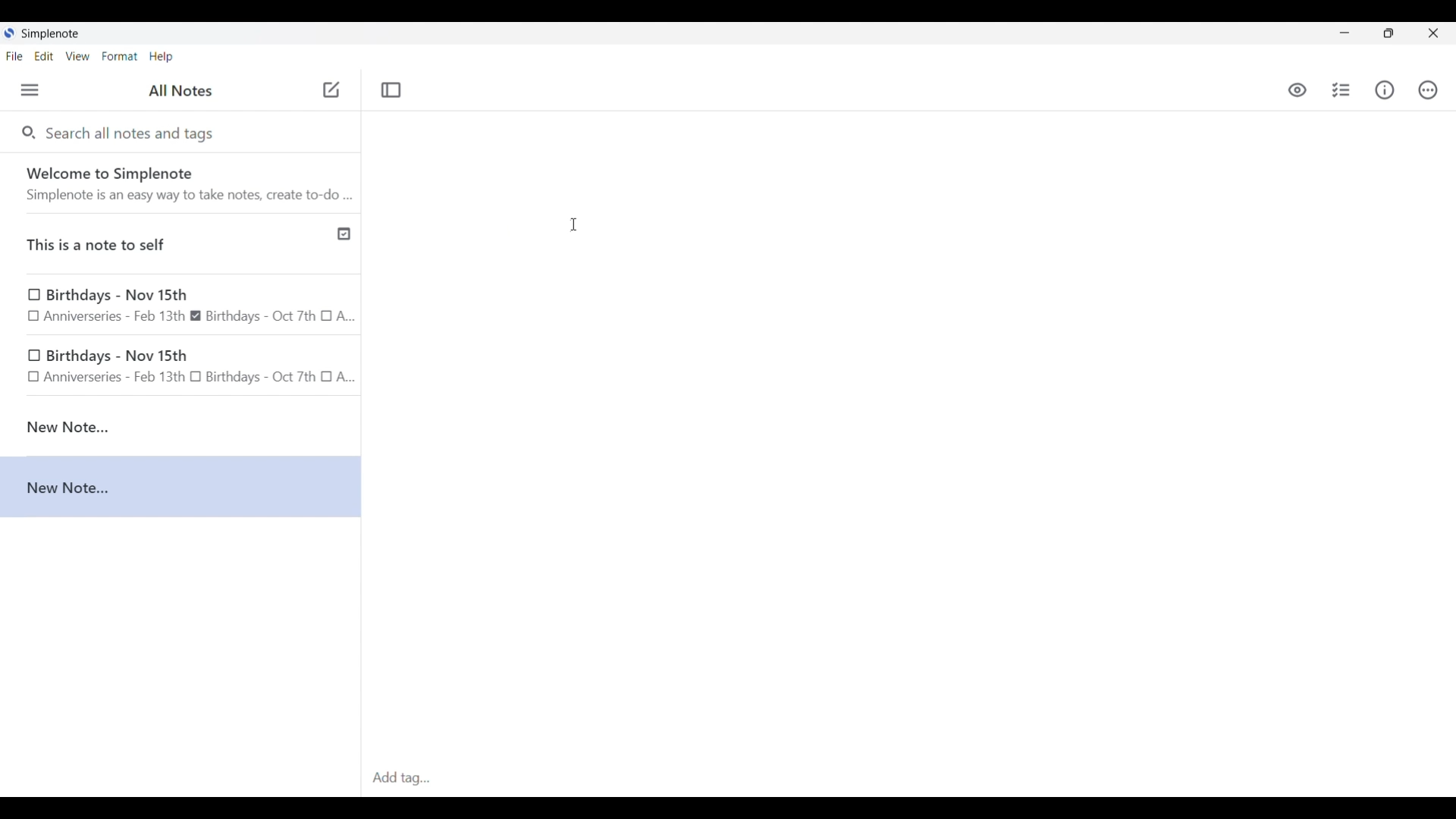 The image size is (1456, 819). I want to click on Edit menu, so click(45, 55).